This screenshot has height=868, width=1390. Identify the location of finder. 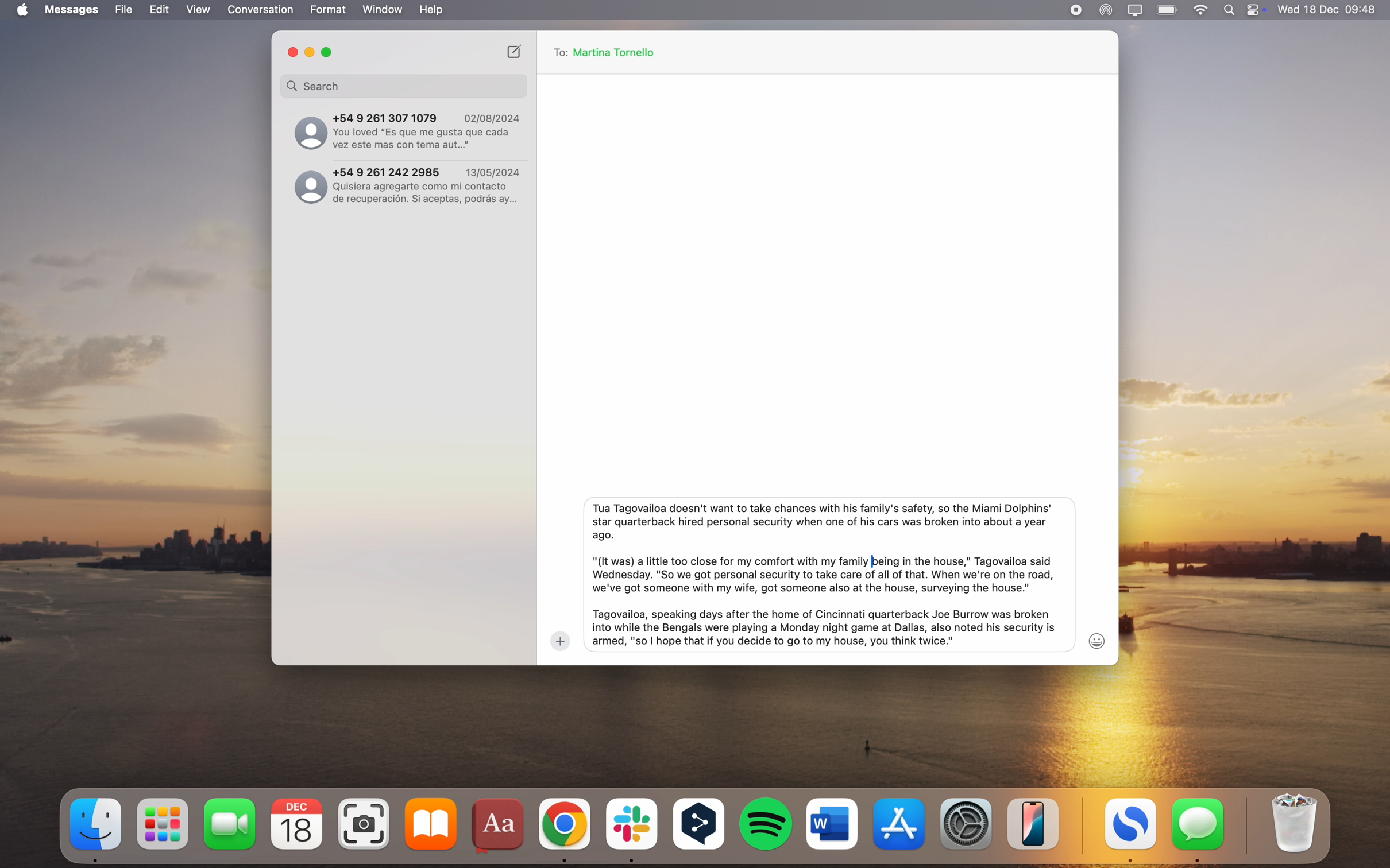
(97, 829).